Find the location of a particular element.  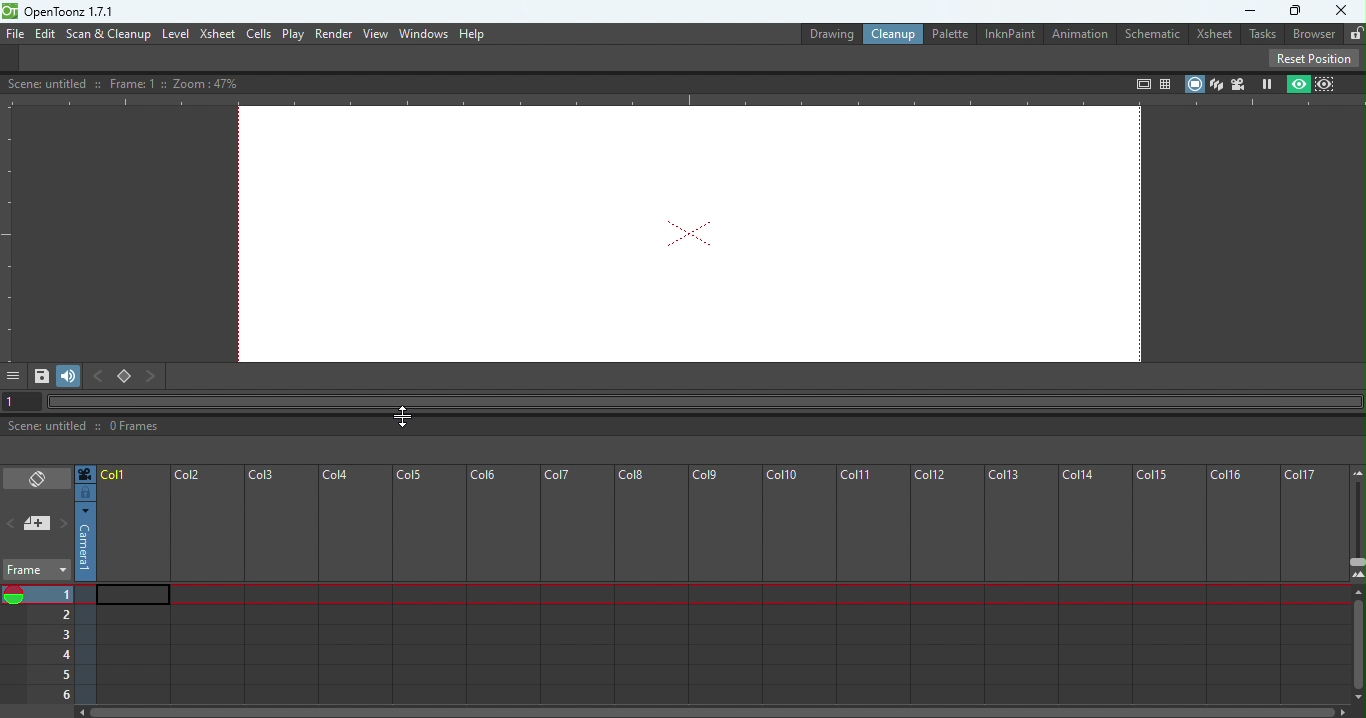

Help is located at coordinates (473, 33).